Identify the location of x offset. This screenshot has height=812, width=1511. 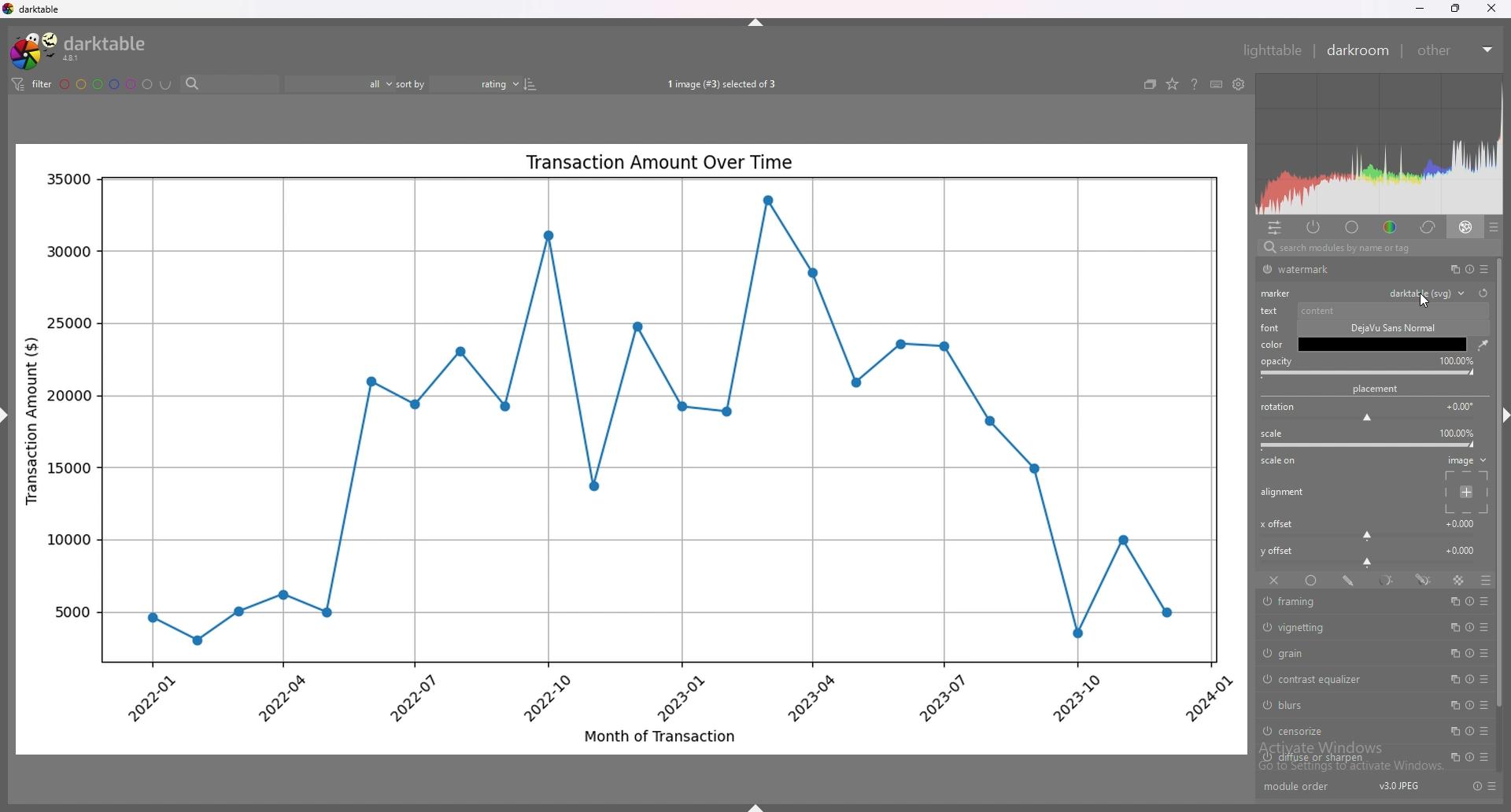
(1462, 522).